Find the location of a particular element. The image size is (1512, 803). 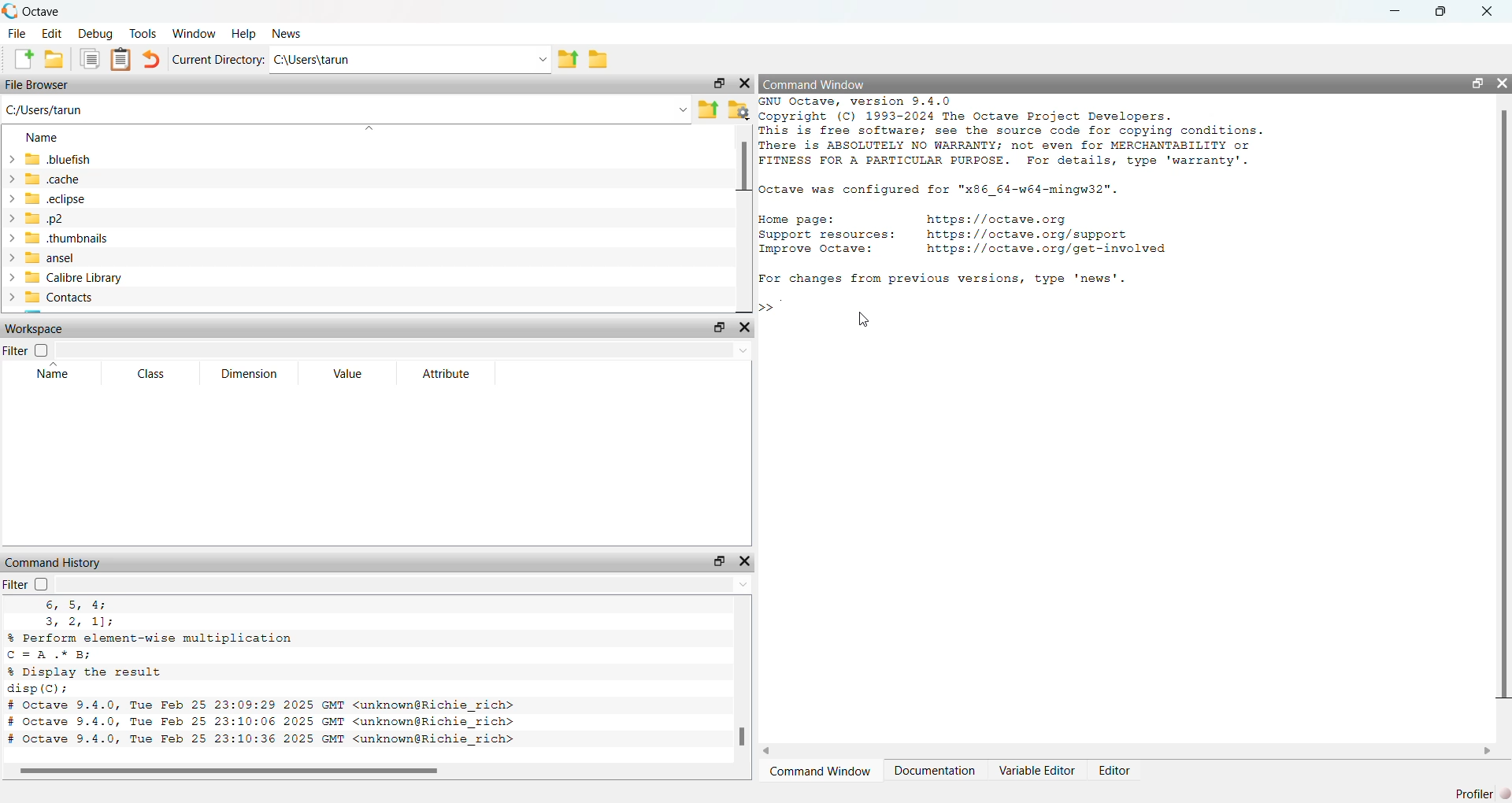

Octave 35.4.0, Tue Feb £5 £3:10:30 20<5 GMT <unknown@Rlichie_rich> is located at coordinates (261, 740).